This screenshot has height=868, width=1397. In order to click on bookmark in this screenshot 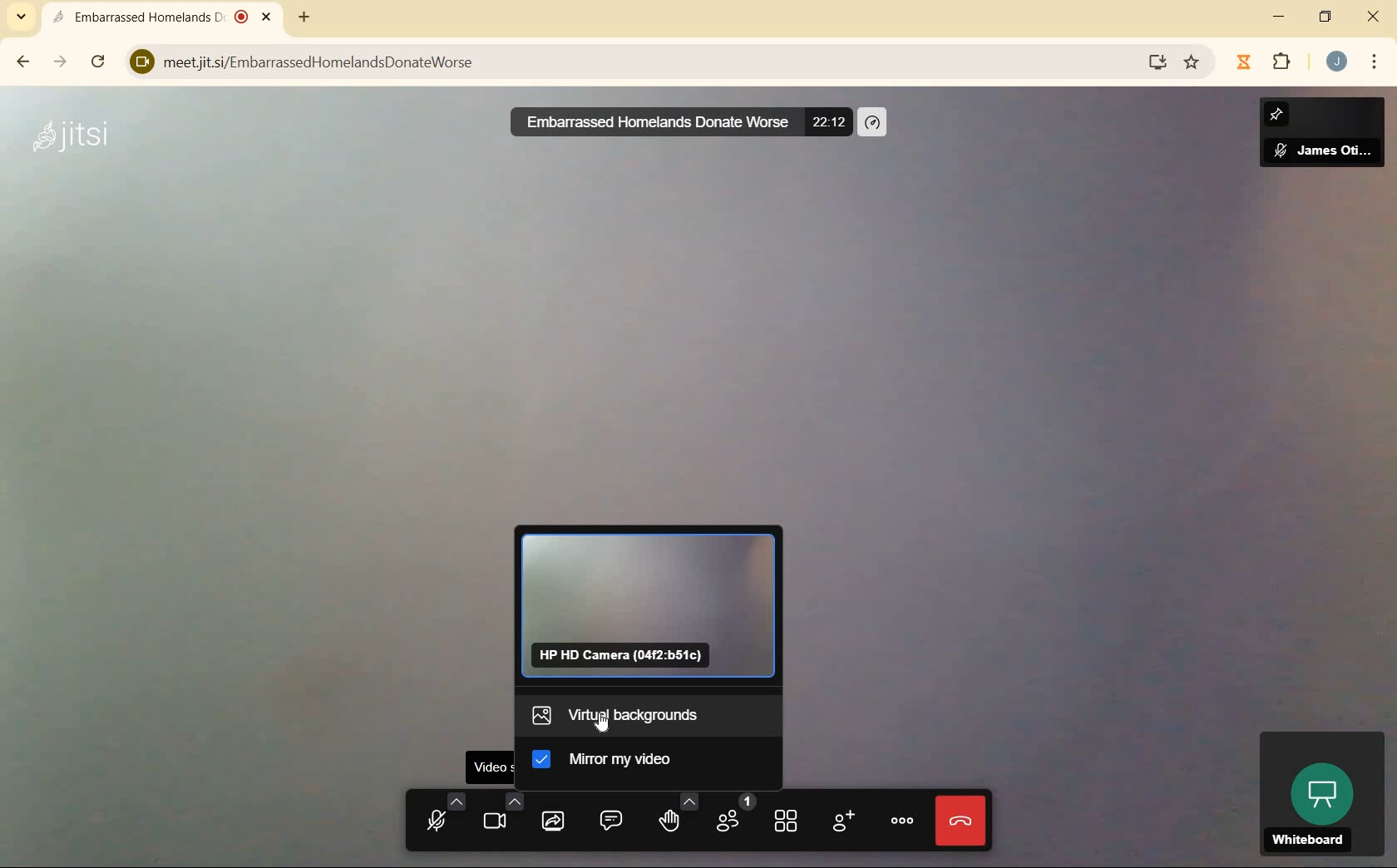, I will do `click(1191, 62)`.